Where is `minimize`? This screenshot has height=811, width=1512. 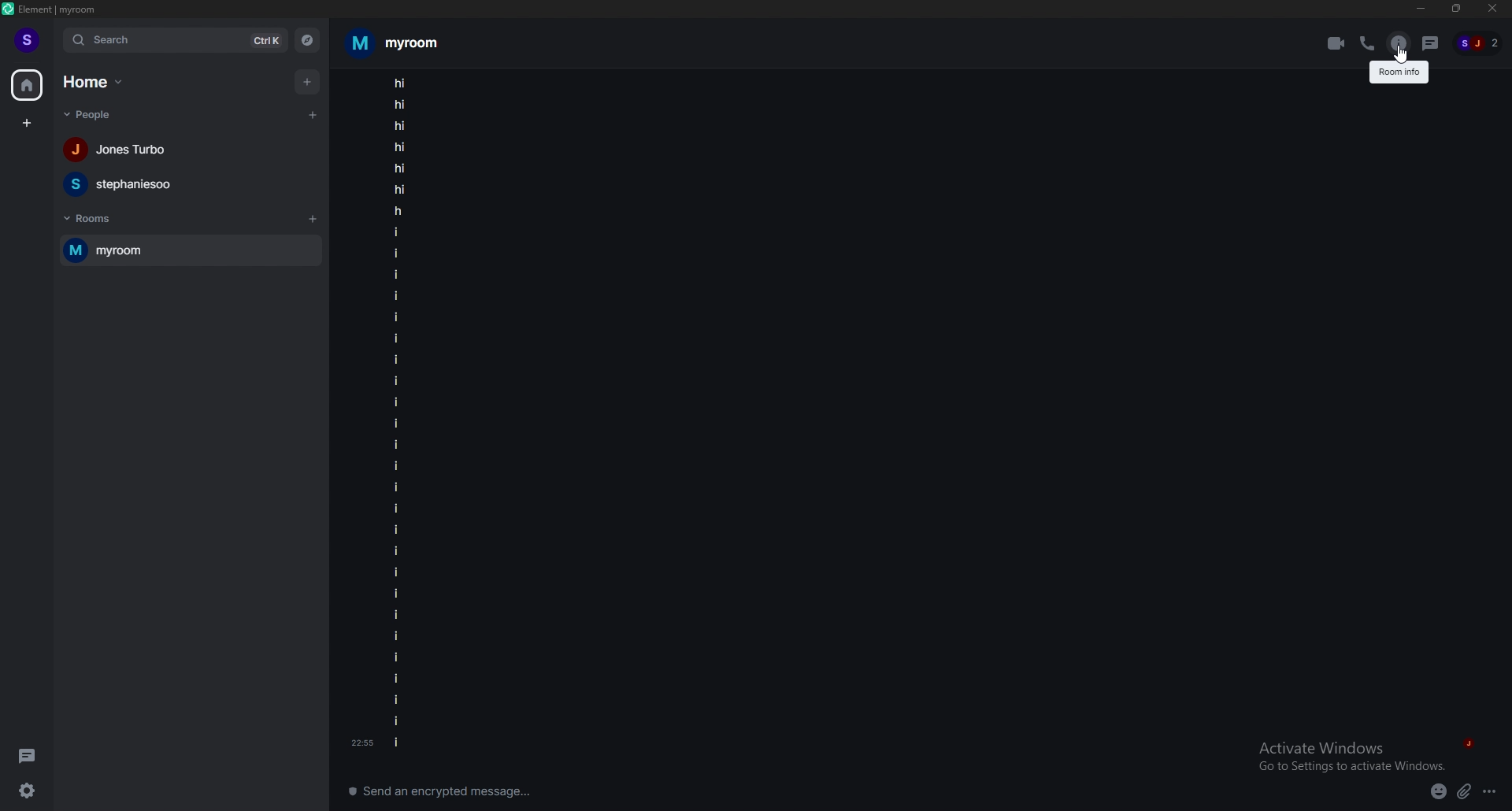 minimize is located at coordinates (1421, 8).